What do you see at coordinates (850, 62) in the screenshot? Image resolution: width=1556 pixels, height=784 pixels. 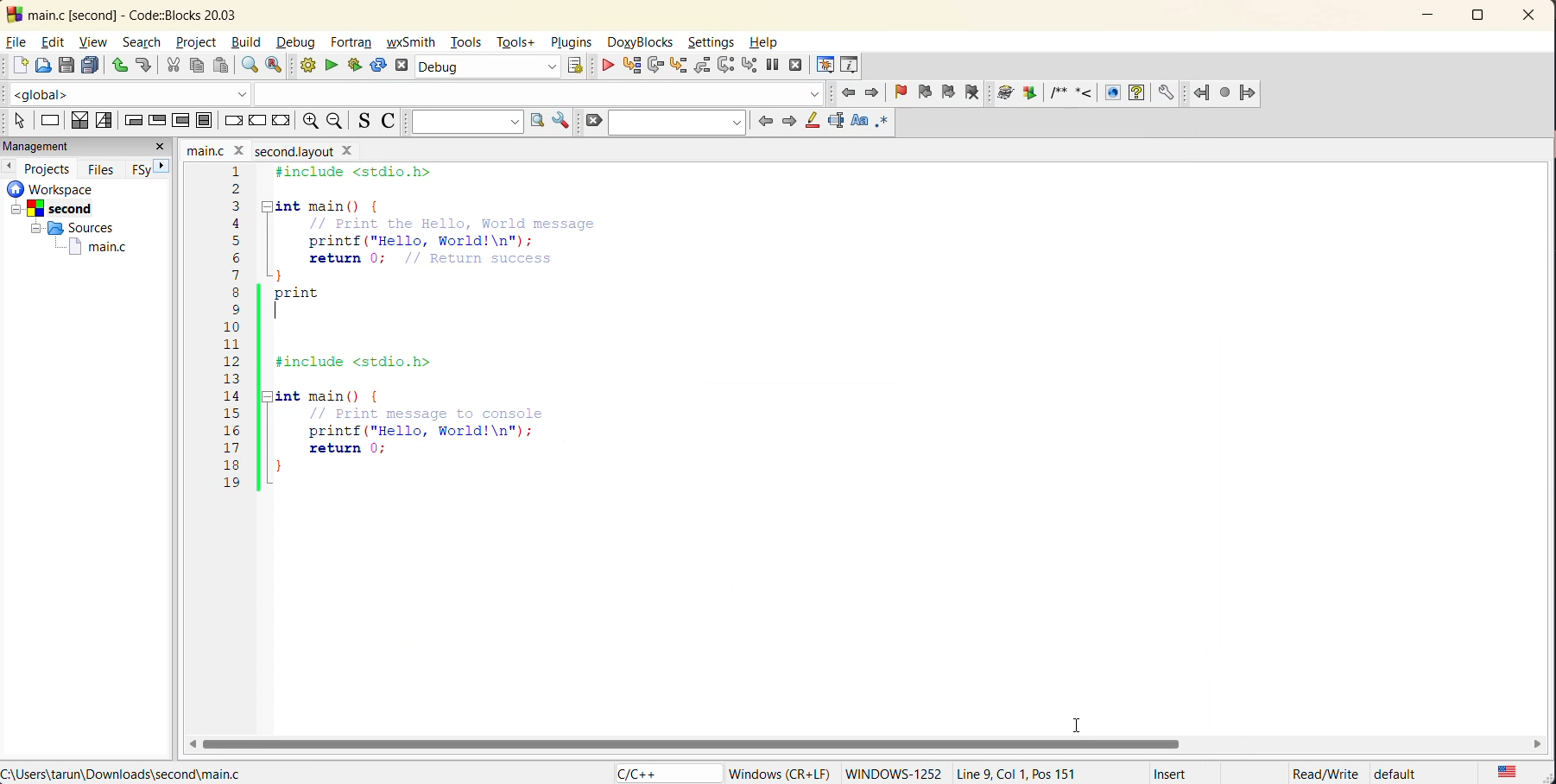 I see `various info` at bounding box center [850, 62].